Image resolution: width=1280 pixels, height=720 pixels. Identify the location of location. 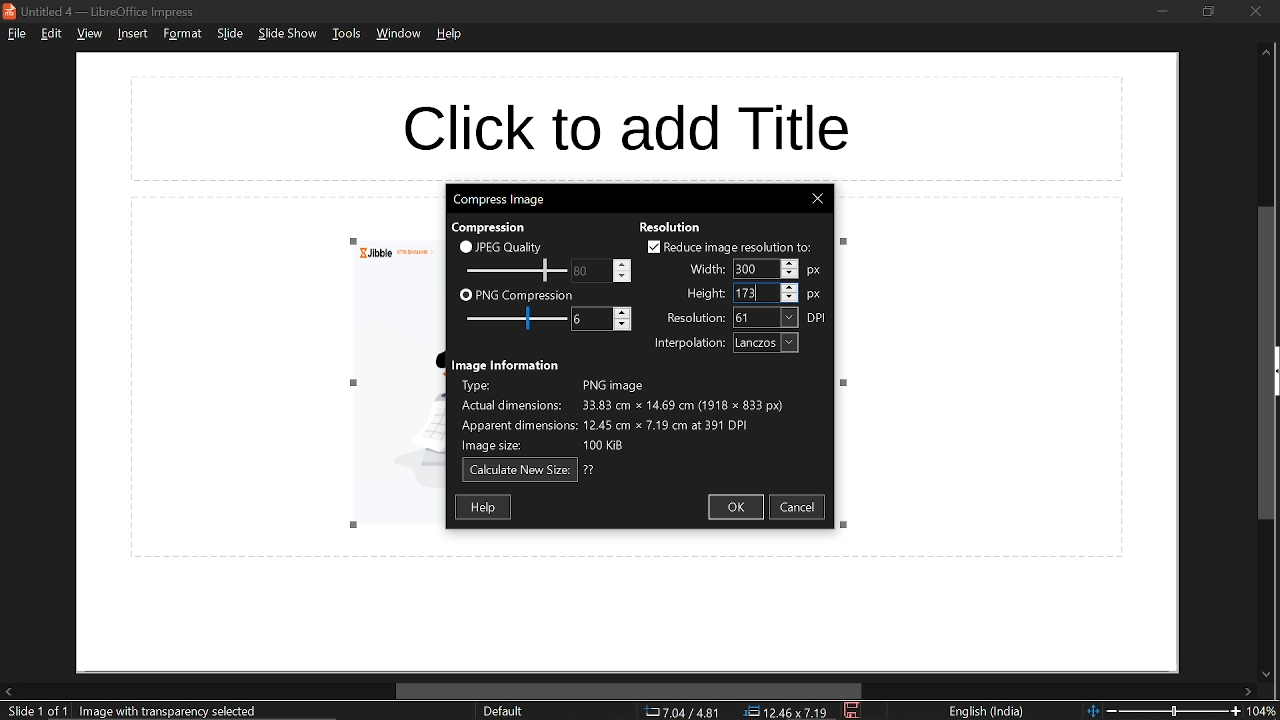
(789, 712).